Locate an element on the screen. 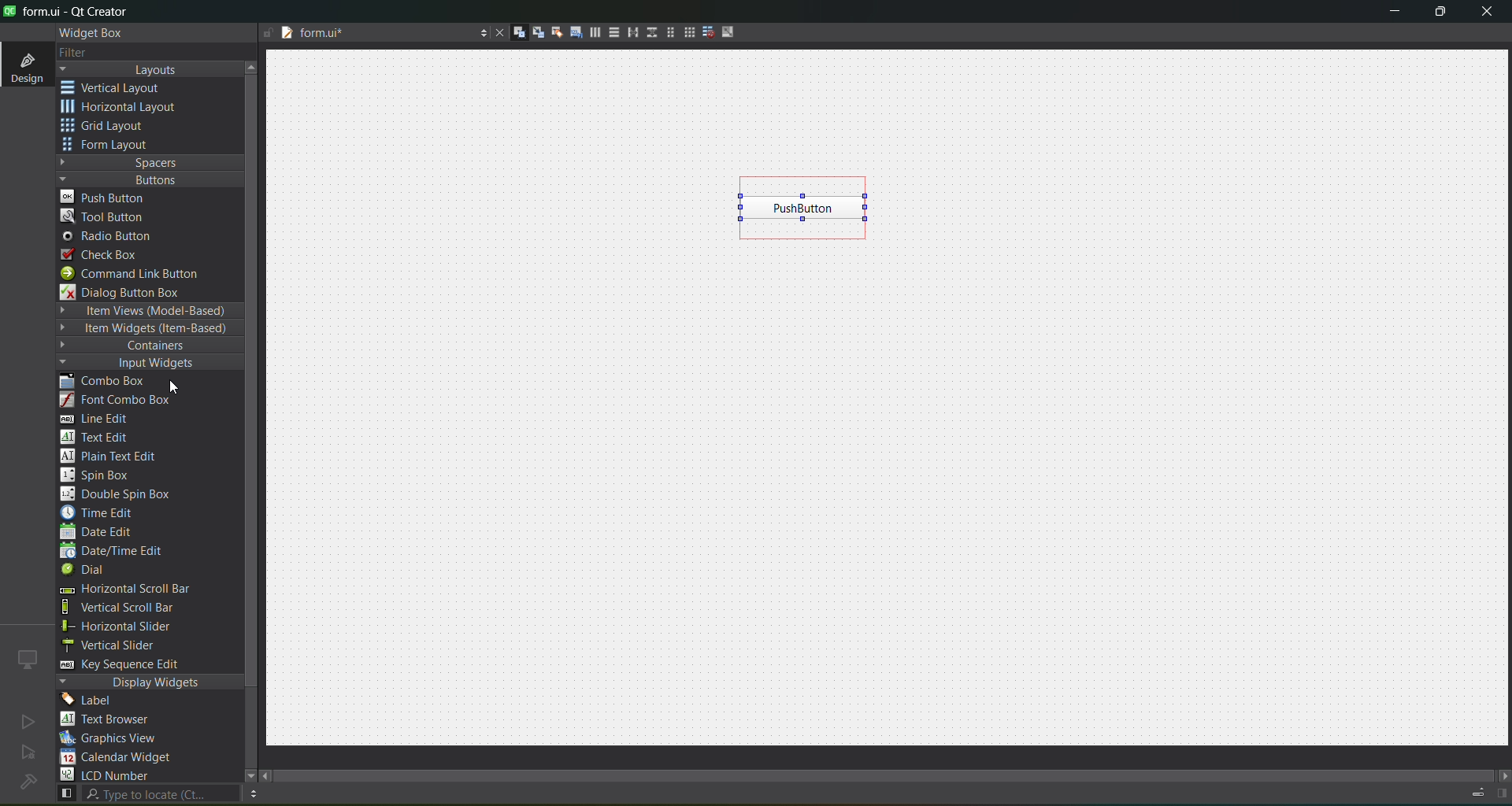  tab name is located at coordinates (373, 34).